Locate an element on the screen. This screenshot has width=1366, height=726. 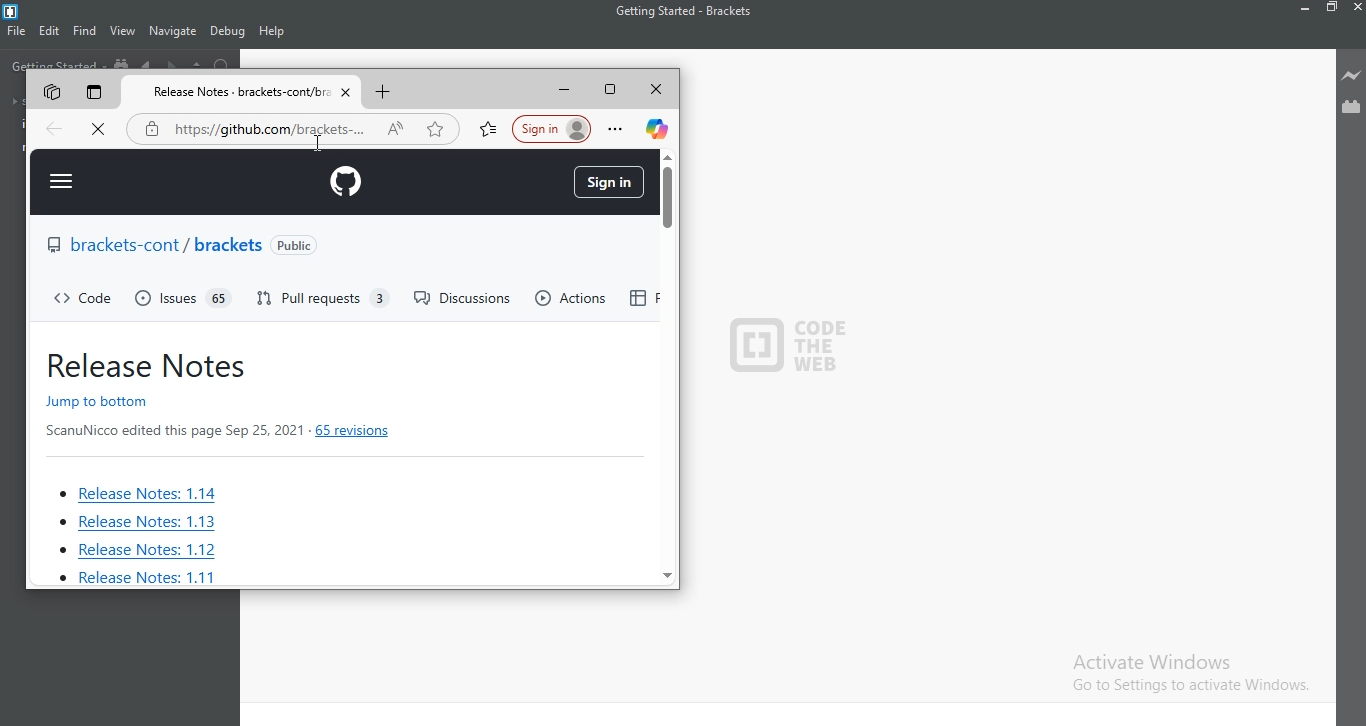
View is located at coordinates (124, 30).